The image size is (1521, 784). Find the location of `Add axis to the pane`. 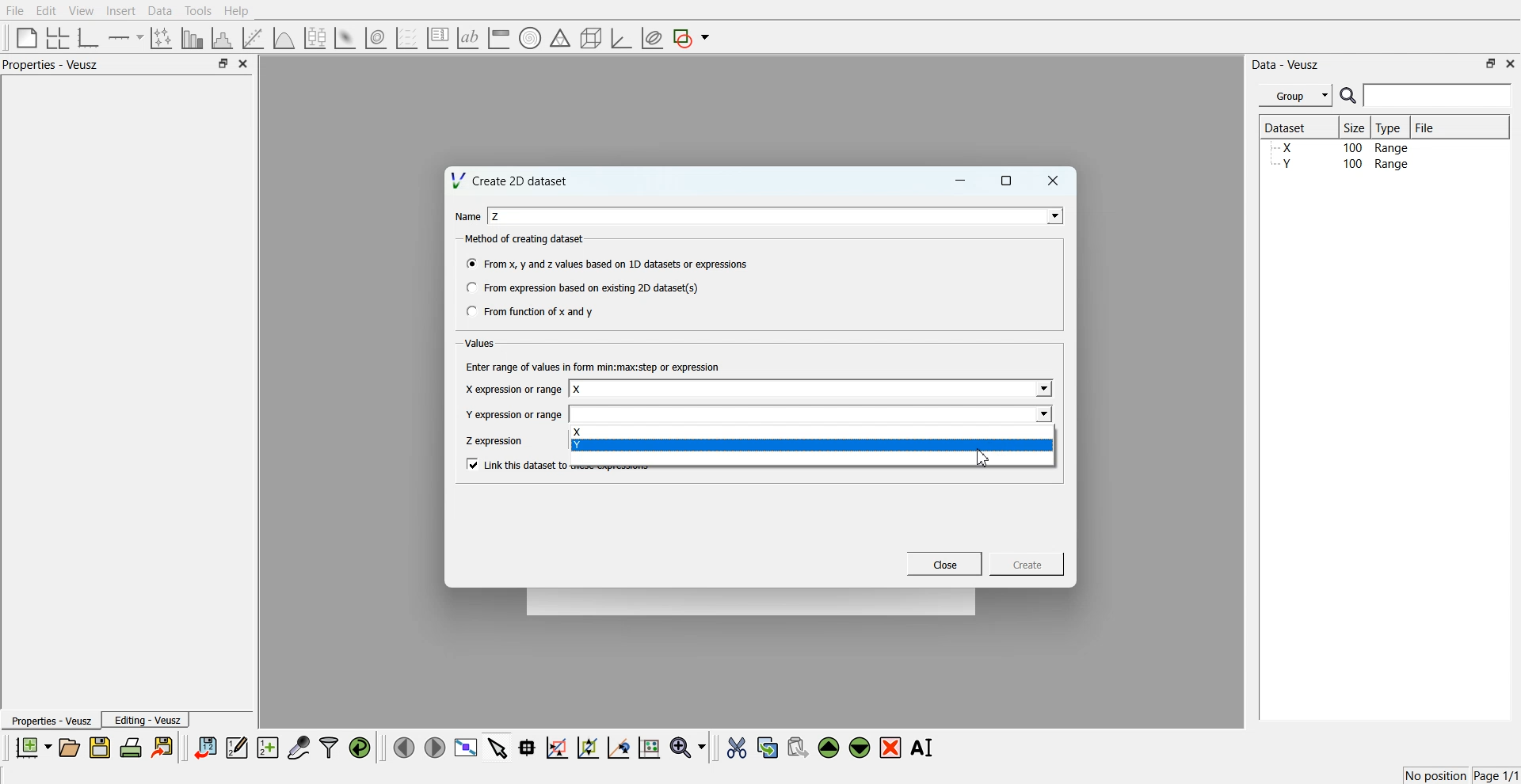

Add axis to the pane is located at coordinates (125, 39).